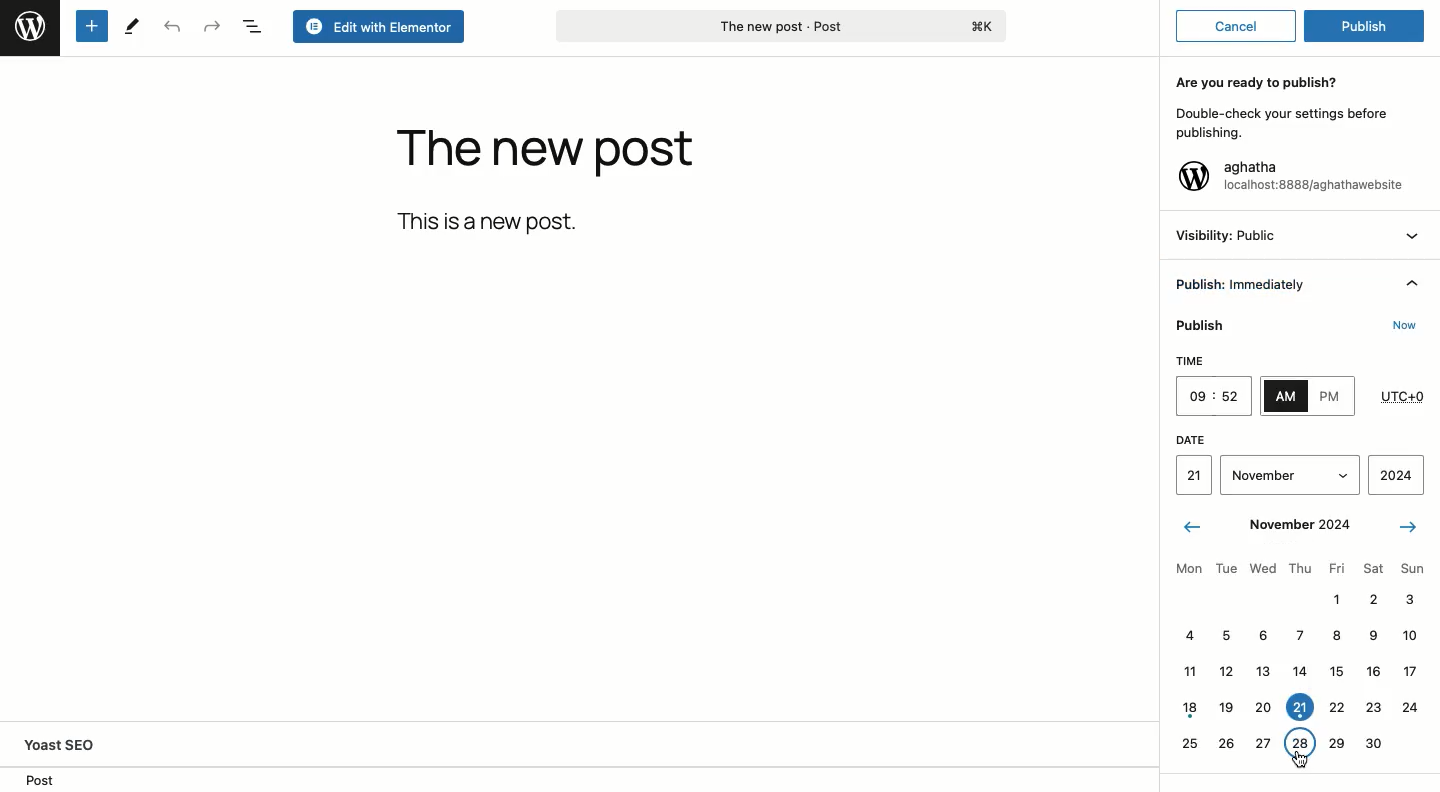 This screenshot has width=1440, height=792. Describe the element at coordinates (1189, 634) in the screenshot. I see `4` at that location.